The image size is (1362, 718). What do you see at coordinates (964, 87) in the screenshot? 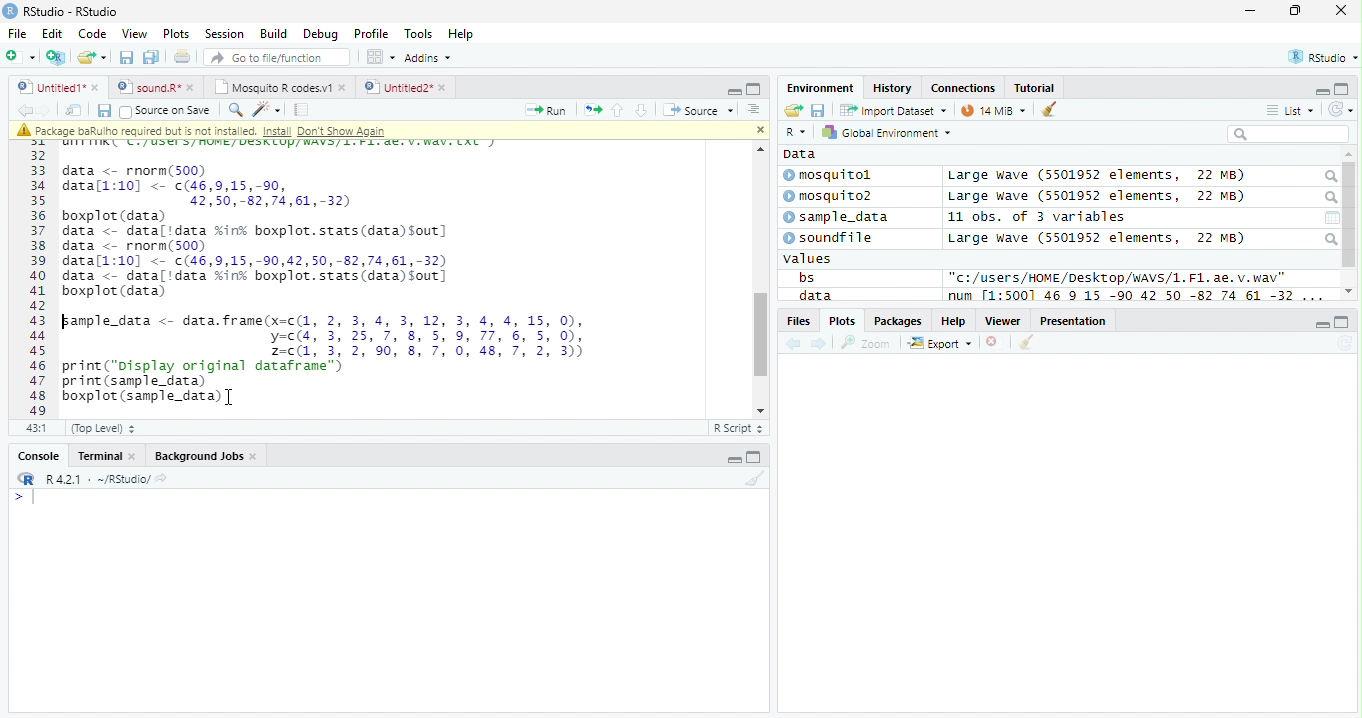
I see `Connections` at bounding box center [964, 87].